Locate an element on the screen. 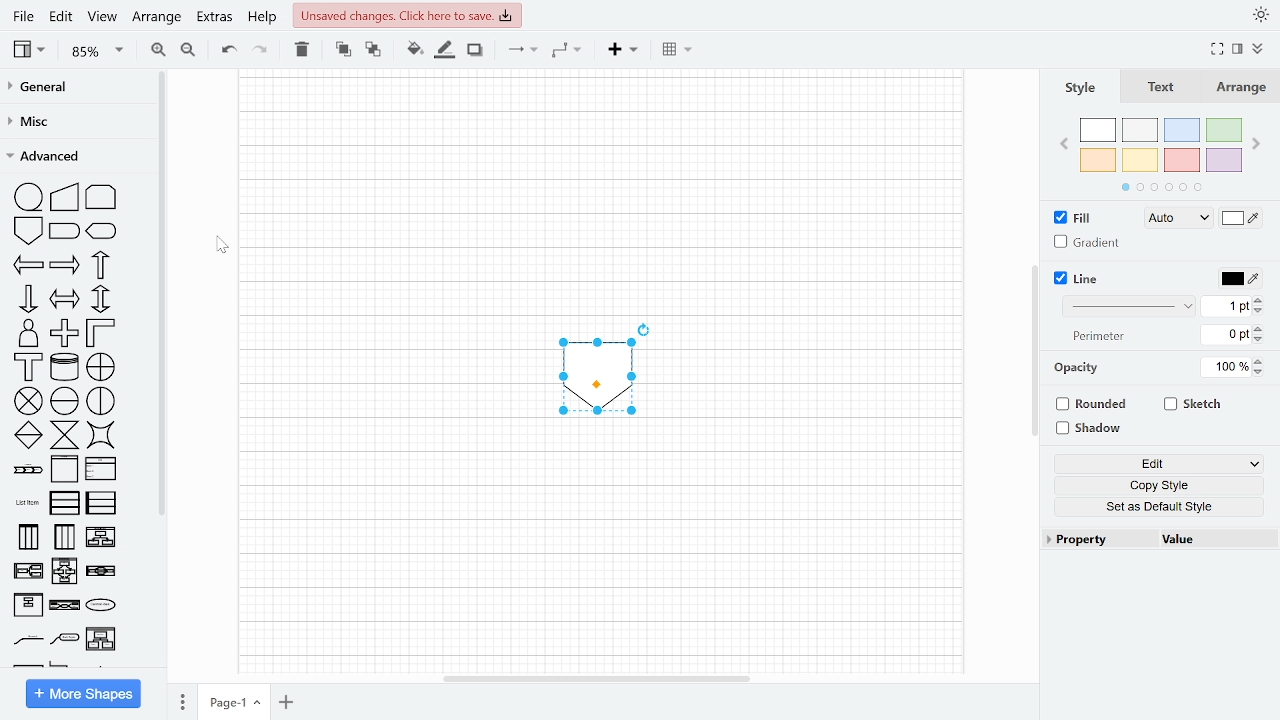 The height and width of the screenshot is (720, 1280). rotate diagram is located at coordinates (645, 328).